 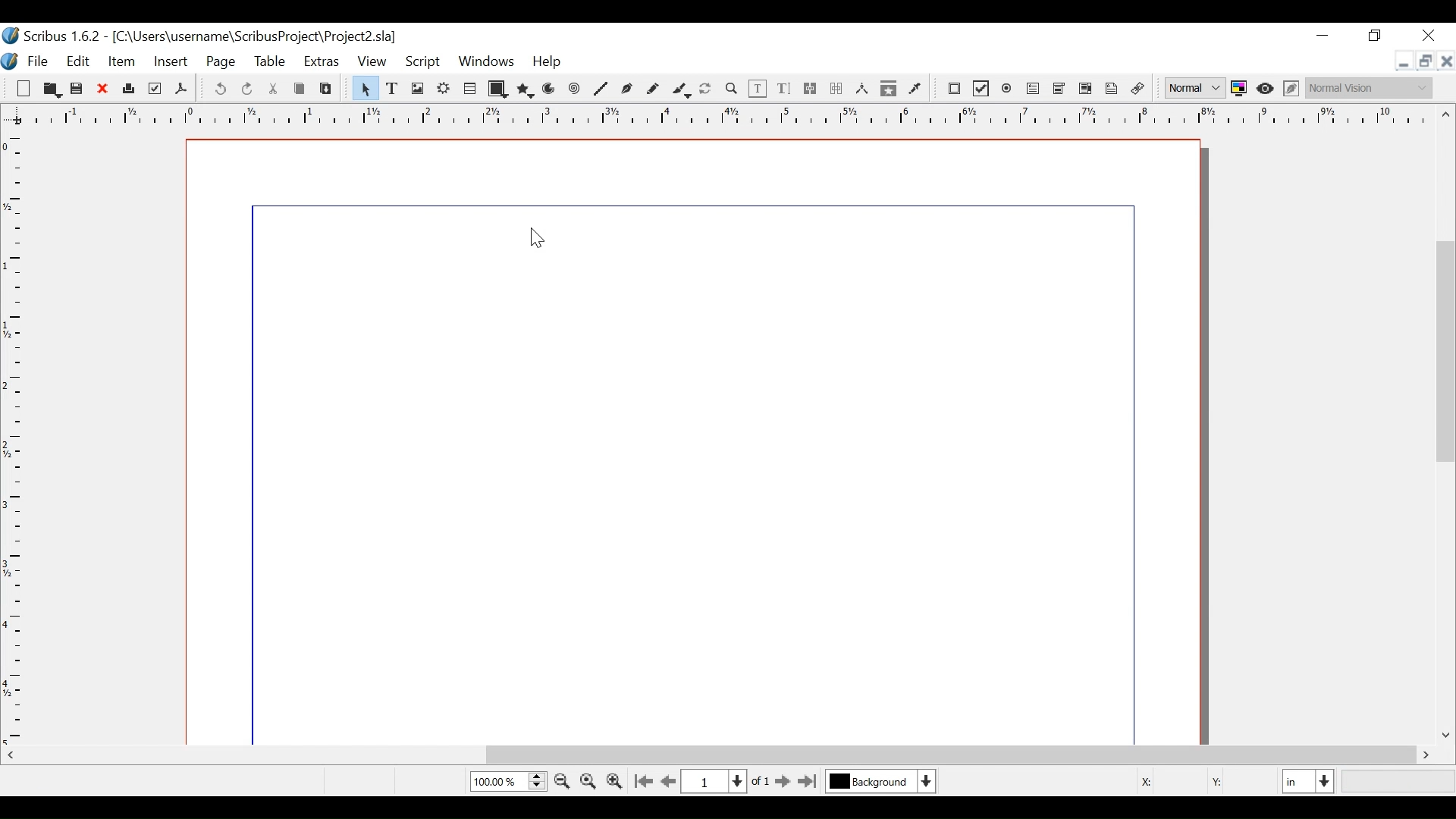 I want to click on Go to the last page, so click(x=807, y=782).